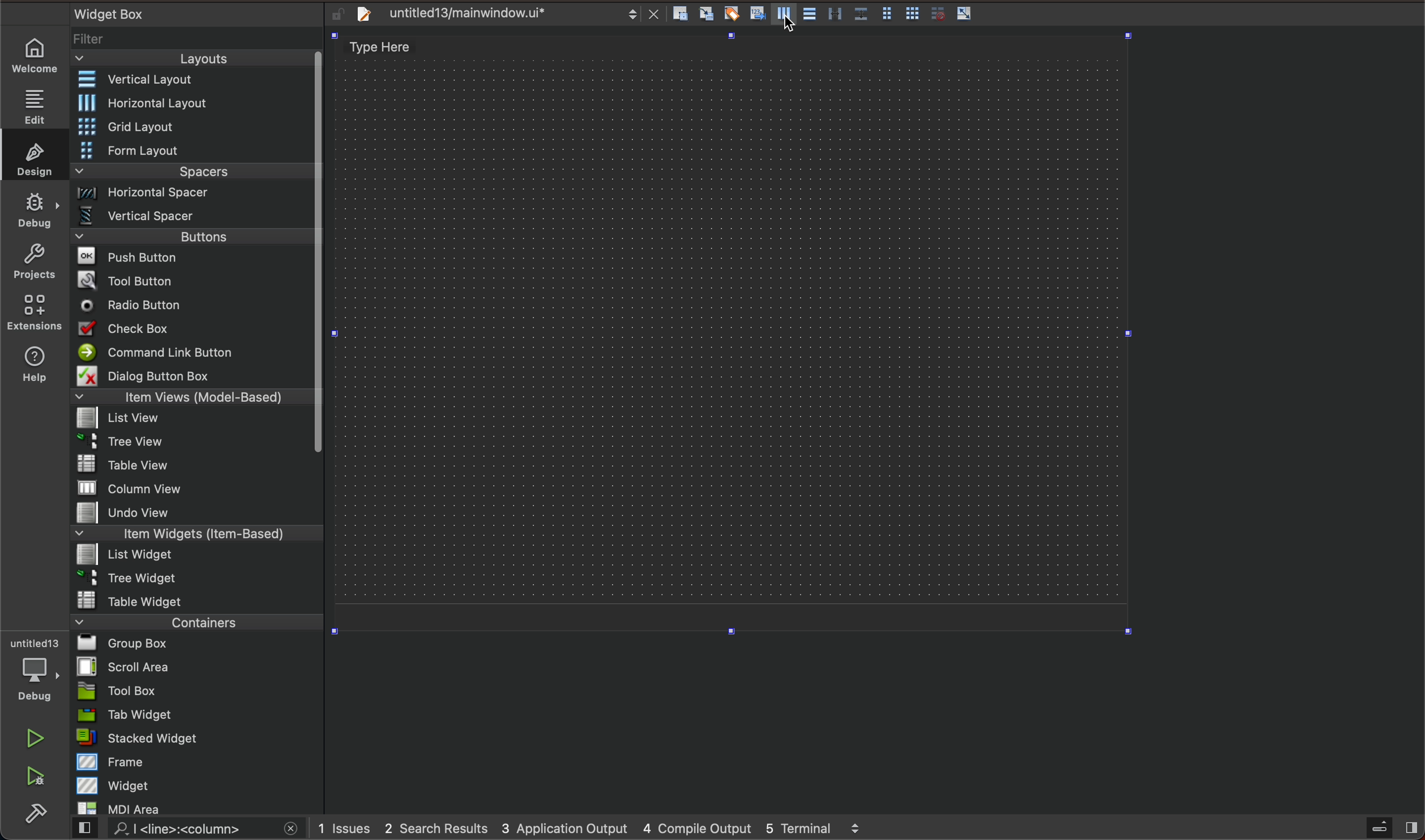 This screenshot has width=1425, height=840. What do you see at coordinates (194, 104) in the screenshot?
I see `Horizontal layout` at bounding box center [194, 104].